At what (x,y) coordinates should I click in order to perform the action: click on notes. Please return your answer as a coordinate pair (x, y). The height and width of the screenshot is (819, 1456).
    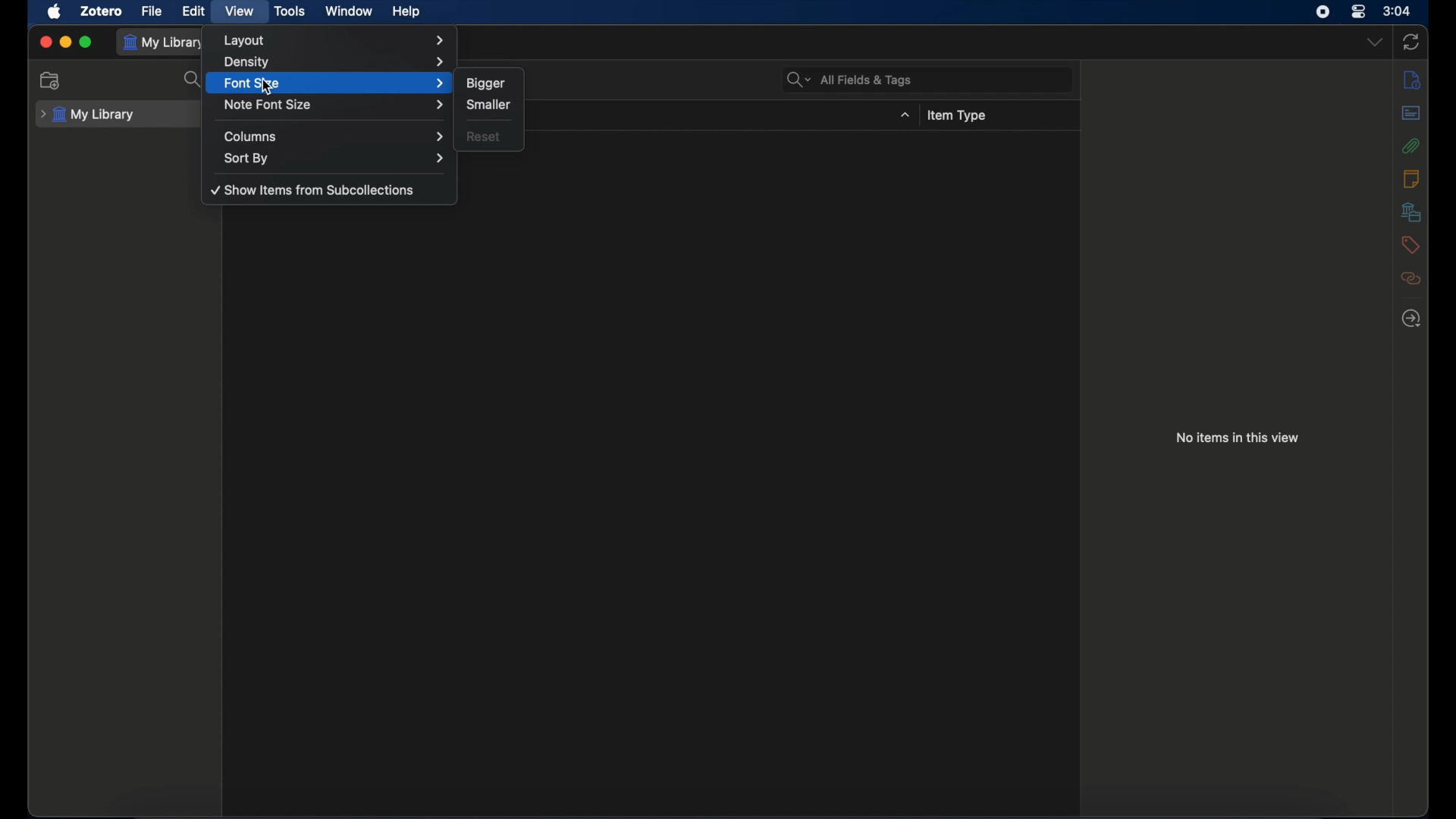
    Looking at the image, I should click on (1411, 178).